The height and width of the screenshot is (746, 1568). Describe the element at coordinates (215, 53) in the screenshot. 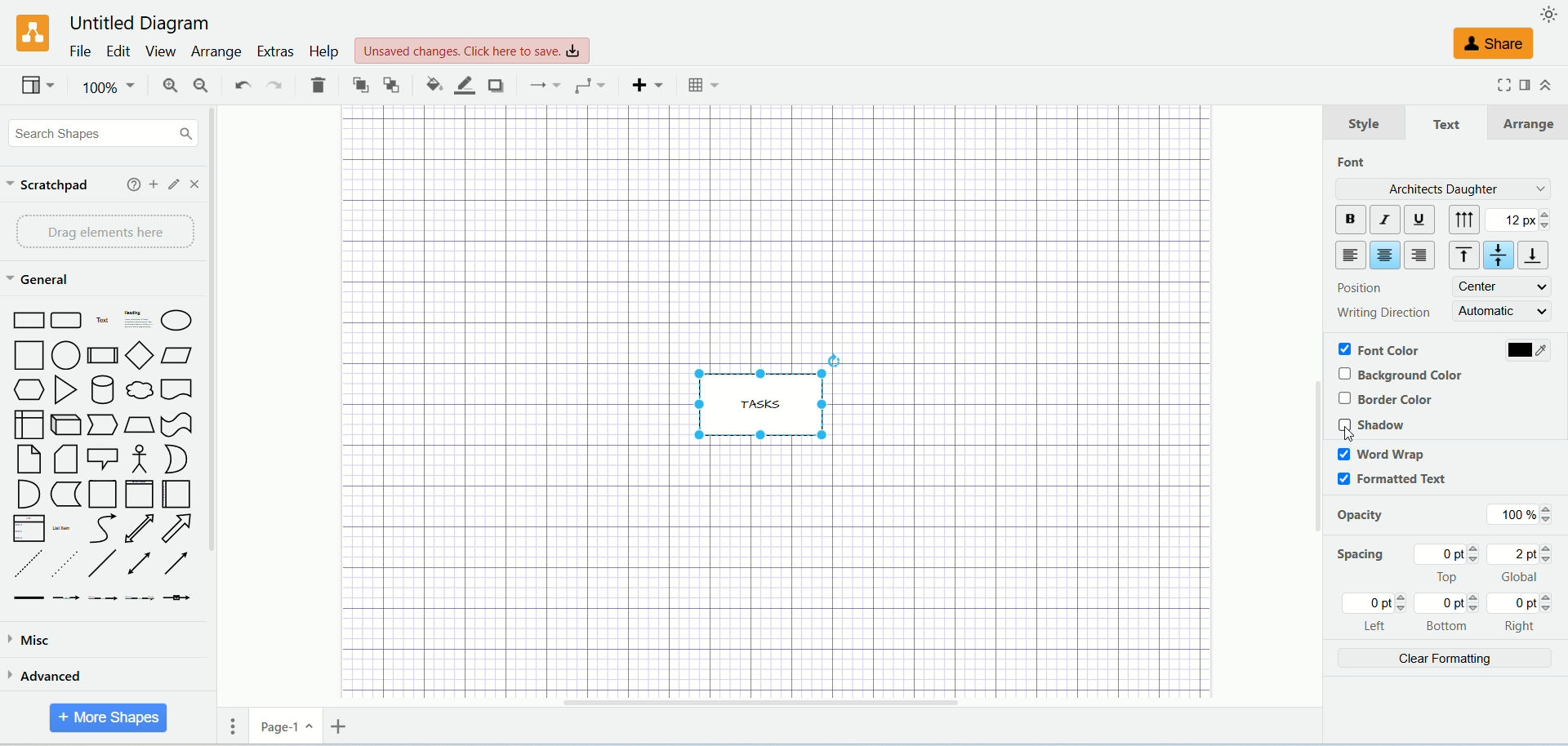

I see `arrange` at that location.